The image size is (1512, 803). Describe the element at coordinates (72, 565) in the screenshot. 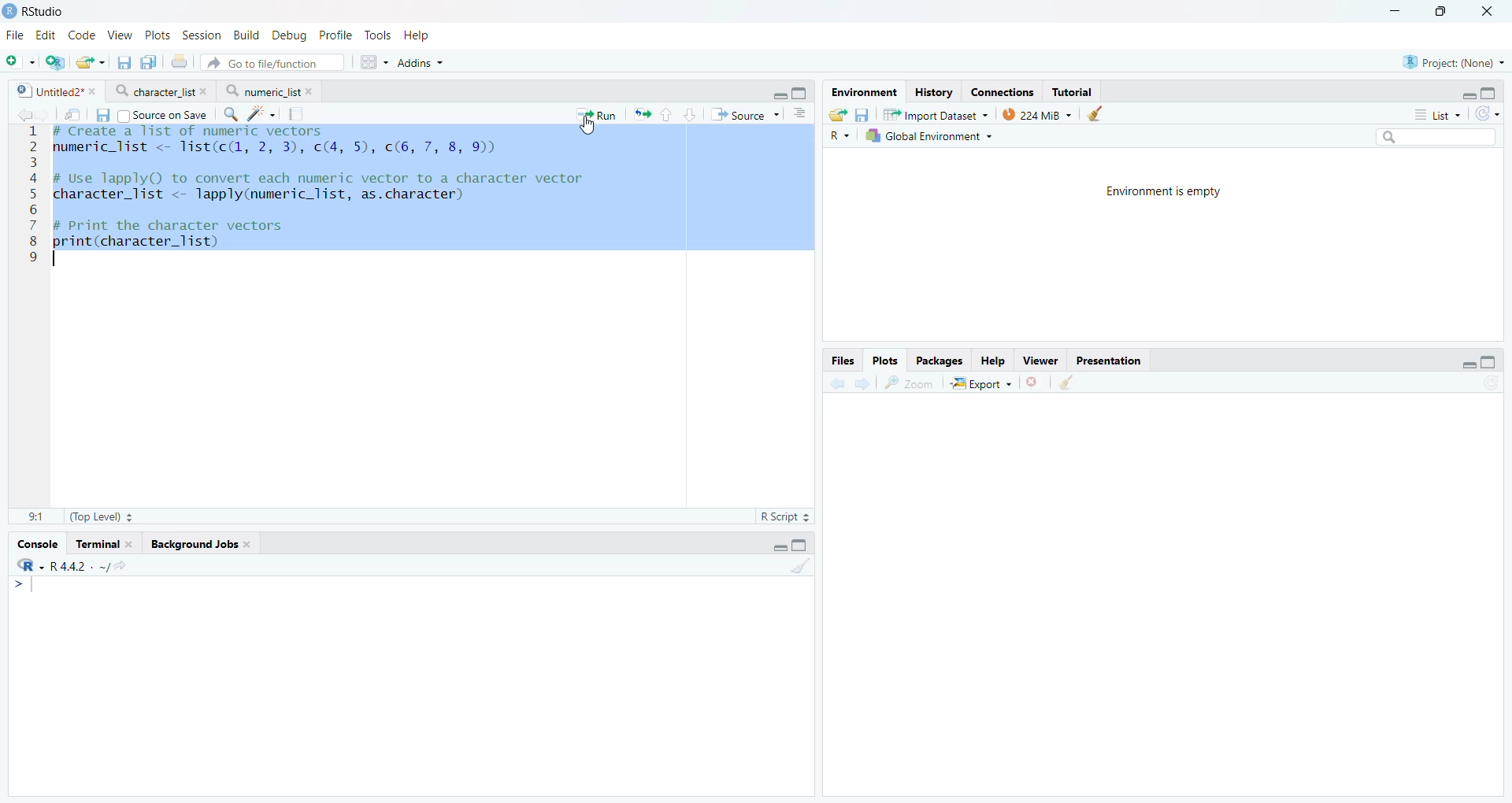

I see `R 4.4.2- ~/` at that location.